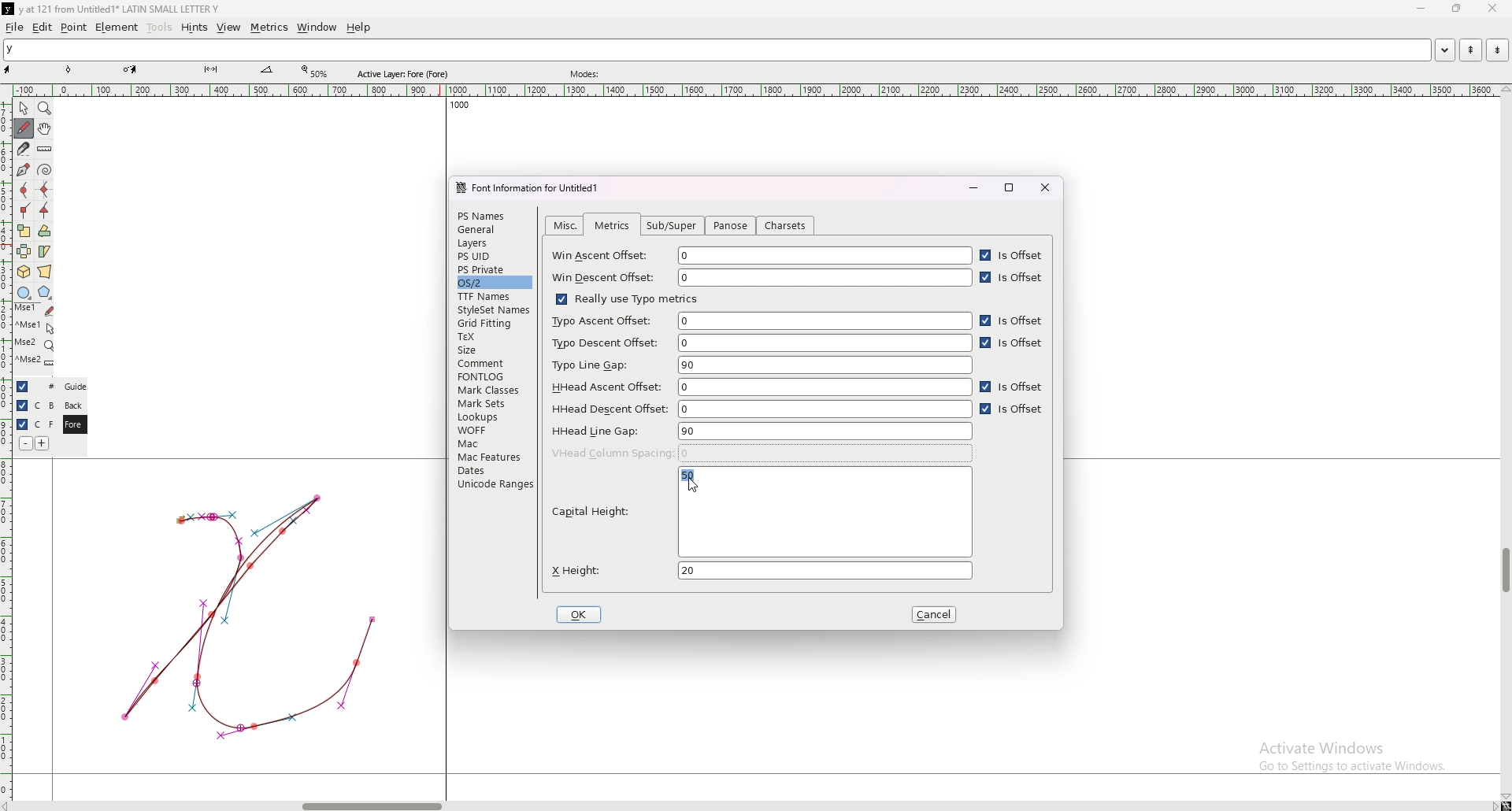 This screenshot has height=811, width=1512. What do you see at coordinates (759, 570) in the screenshot?
I see `x height 20` at bounding box center [759, 570].